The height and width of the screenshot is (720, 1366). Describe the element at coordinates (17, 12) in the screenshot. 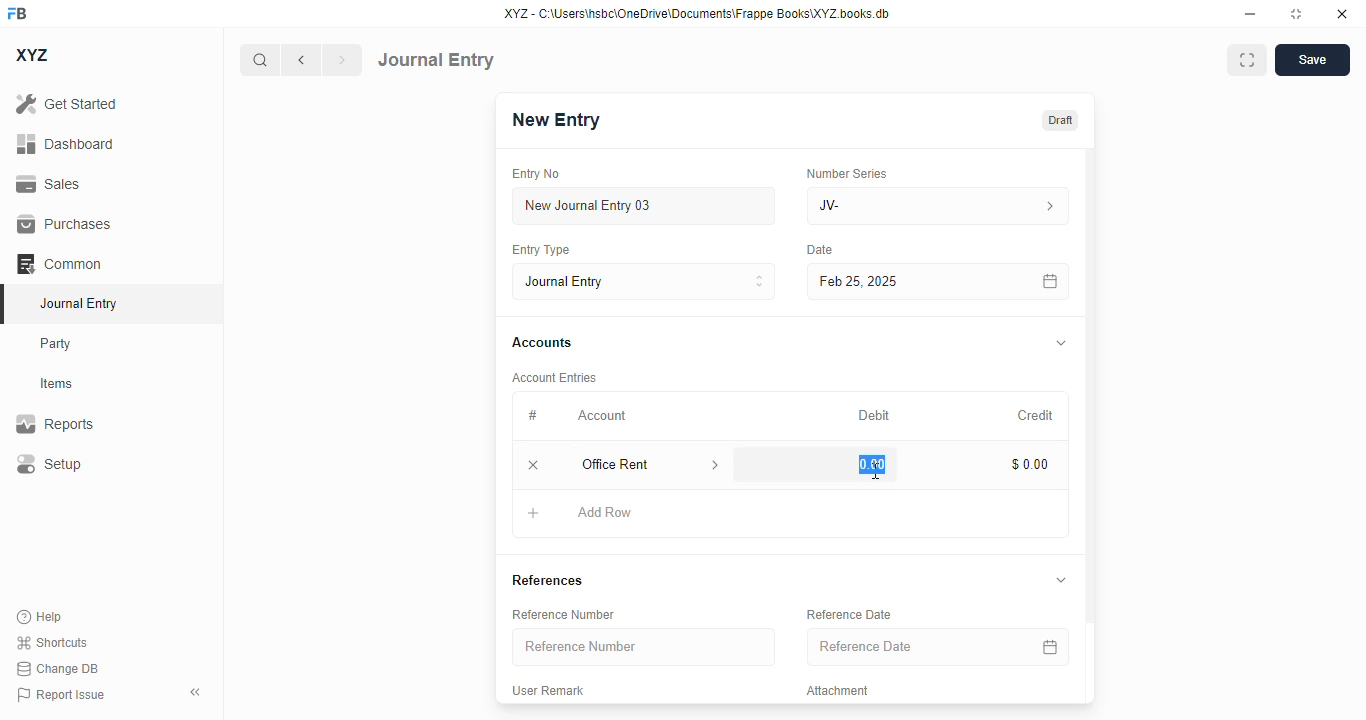

I see `FB logo` at that location.